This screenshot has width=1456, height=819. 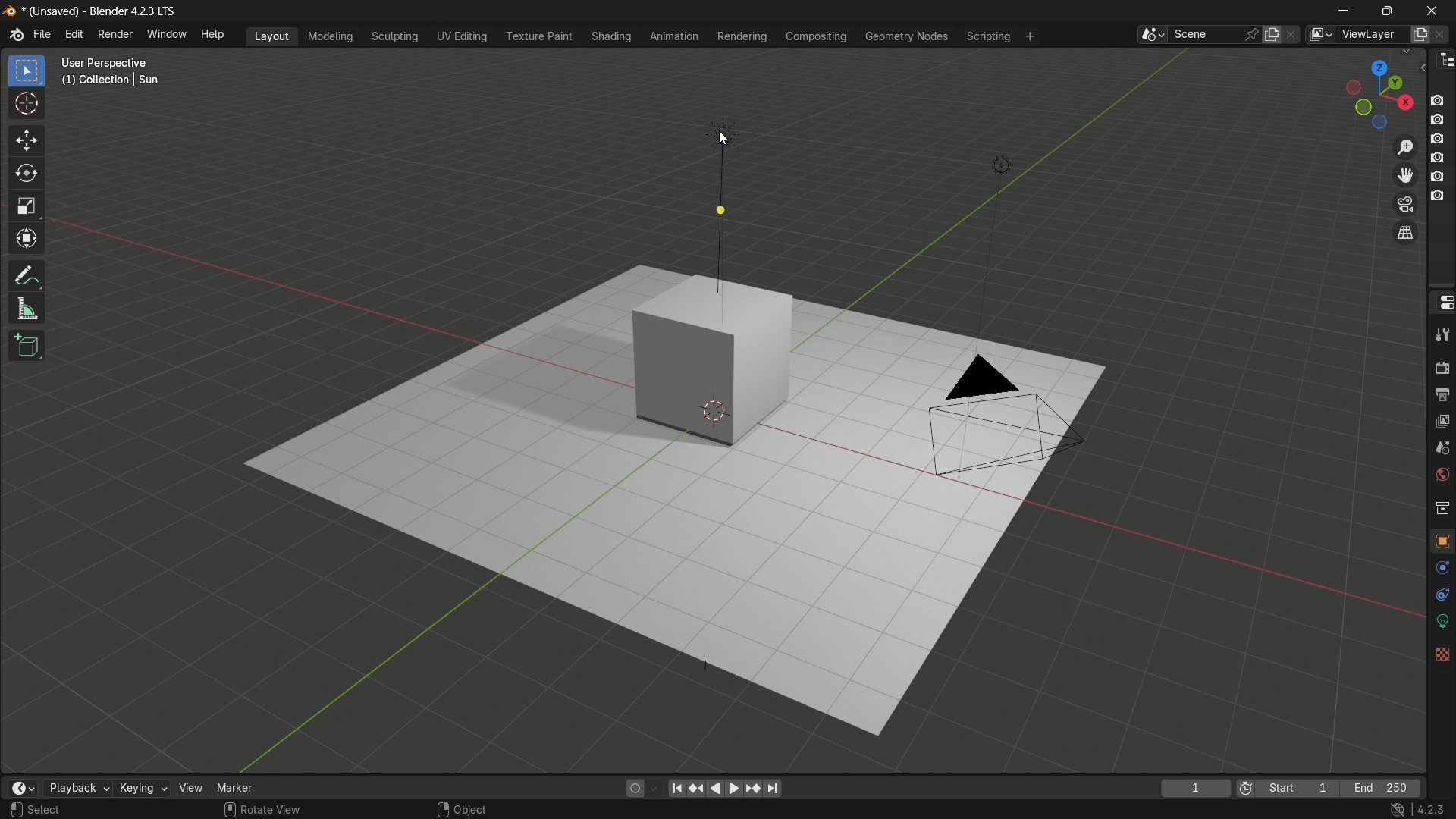 I want to click on logo, so click(x=9, y=11).